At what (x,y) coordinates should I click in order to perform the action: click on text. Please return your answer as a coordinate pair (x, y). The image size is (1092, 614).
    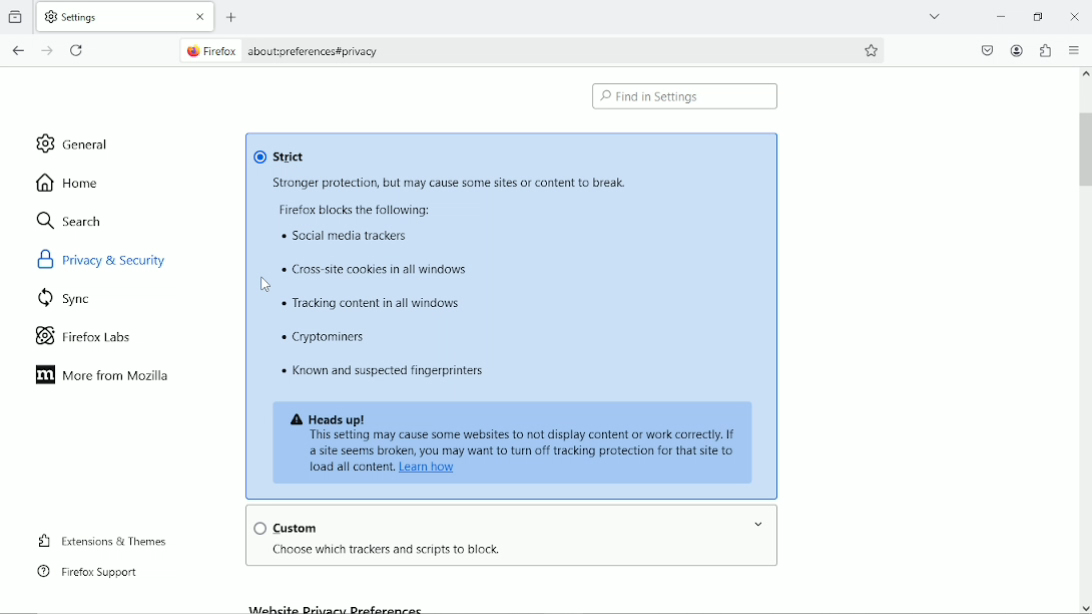
    Looking at the image, I should click on (354, 210).